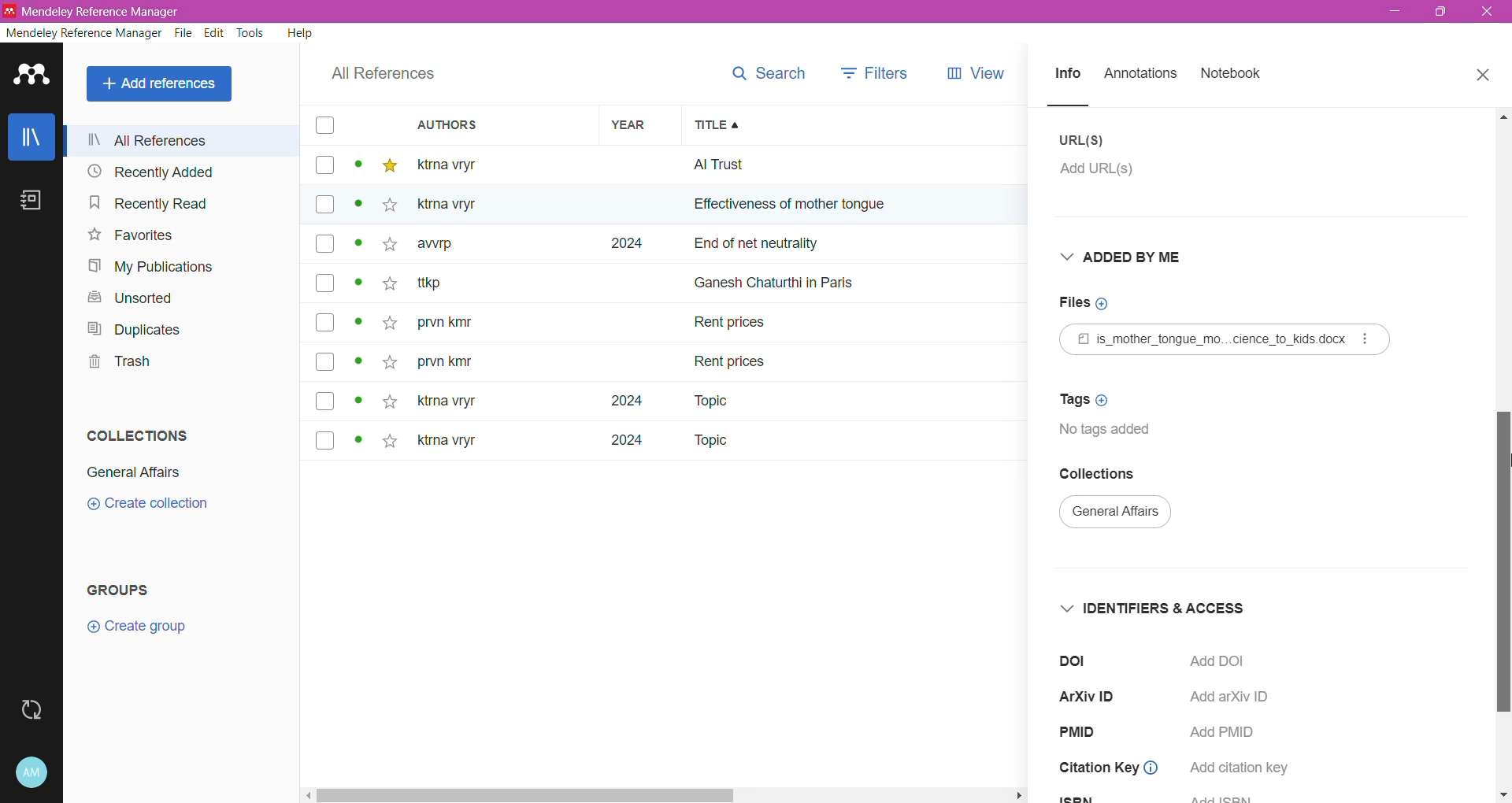  What do you see at coordinates (1226, 696) in the screenshot?
I see `Add arXiv ID` at bounding box center [1226, 696].